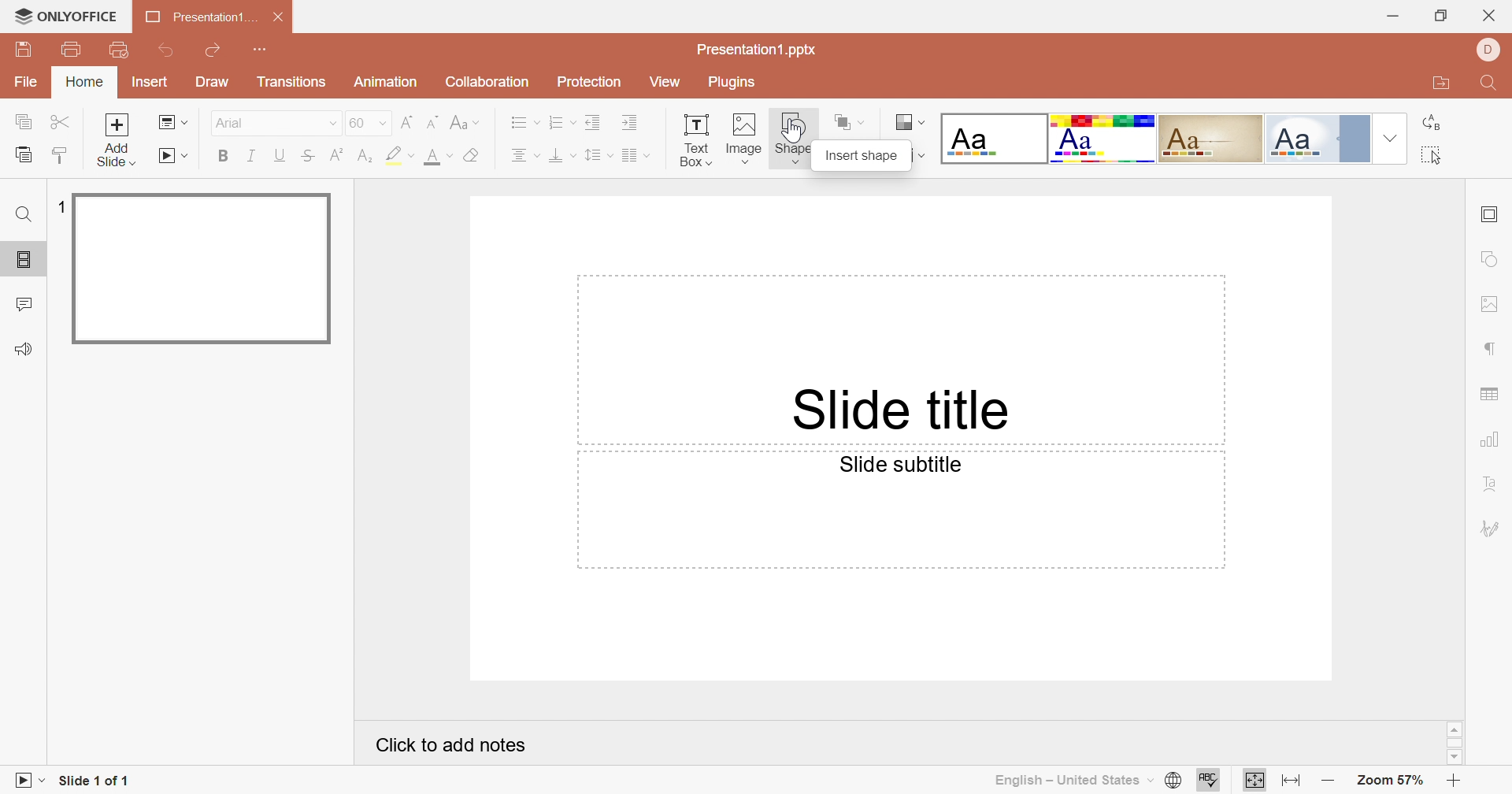 The image size is (1512, 794). Describe the element at coordinates (475, 156) in the screenshot. I see `Clear style` at that location.